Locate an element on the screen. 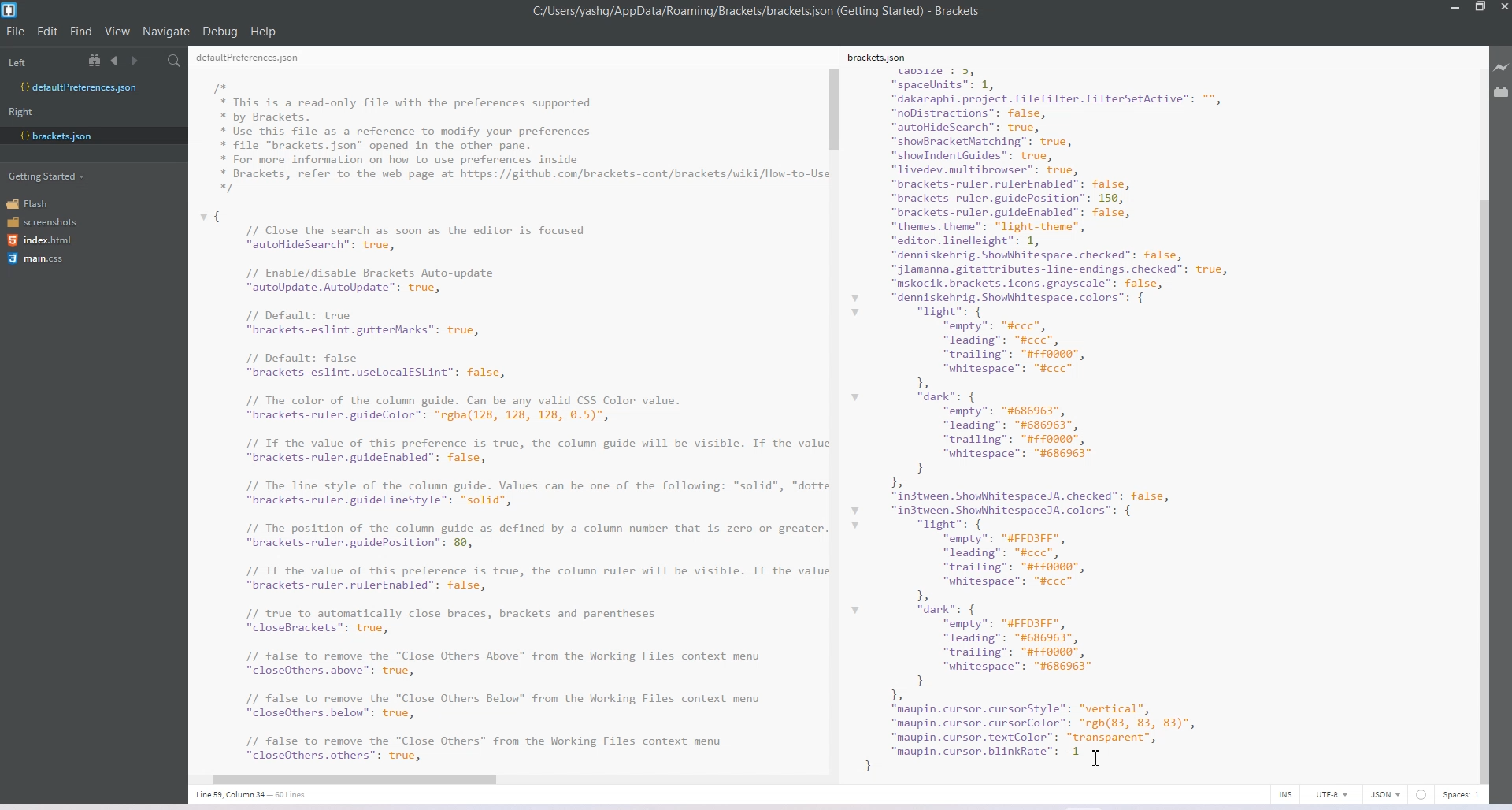 This screenshot has width=1512, height=810. Extension Manager is located at coordinates (1502, 95).